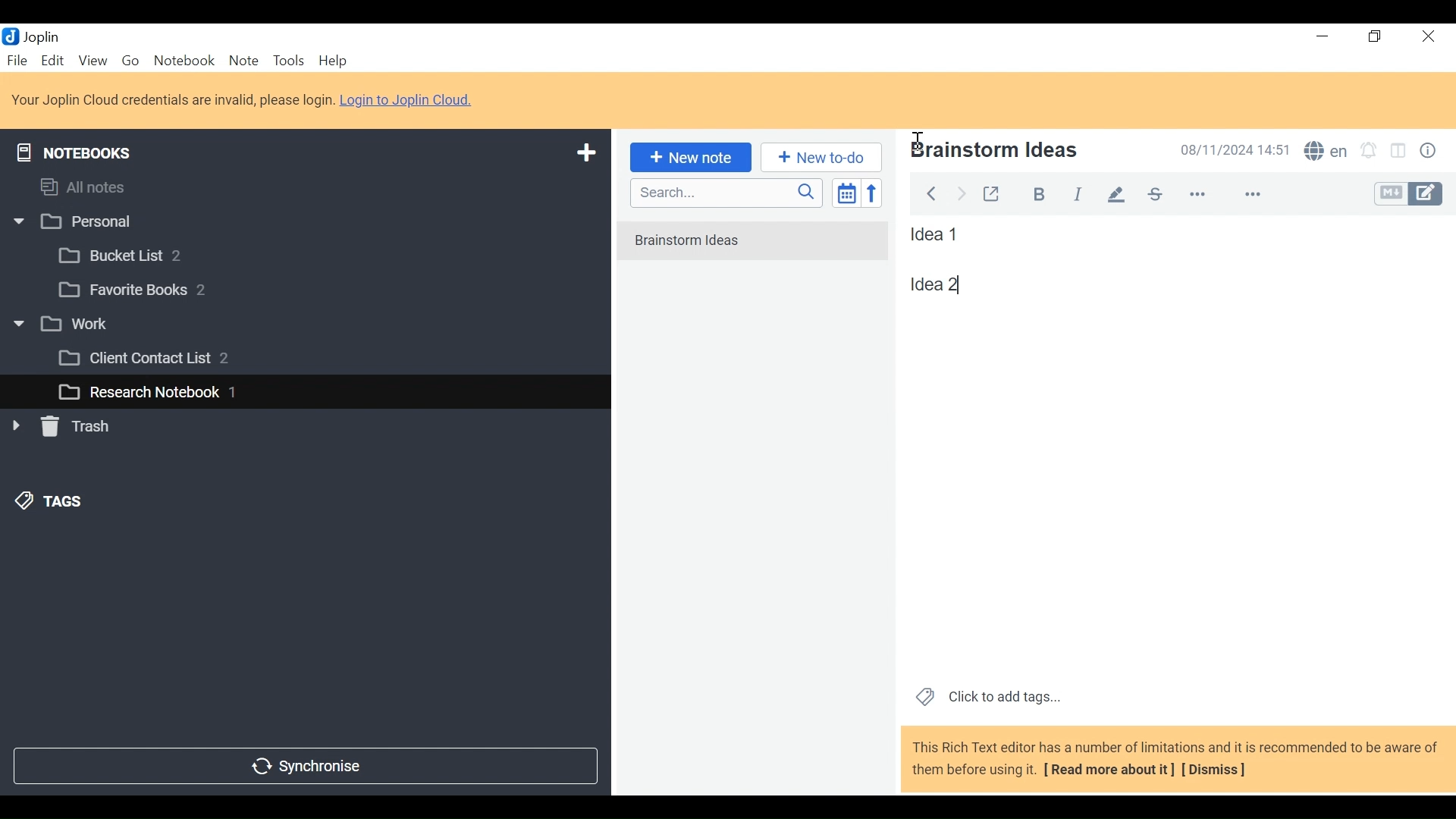 Image resolution: width=1456 pixels, height=819 pixels. What do you see at coordinates (688, 156) in the screenshot?
I see `New note` at bounding box center [688, 156].